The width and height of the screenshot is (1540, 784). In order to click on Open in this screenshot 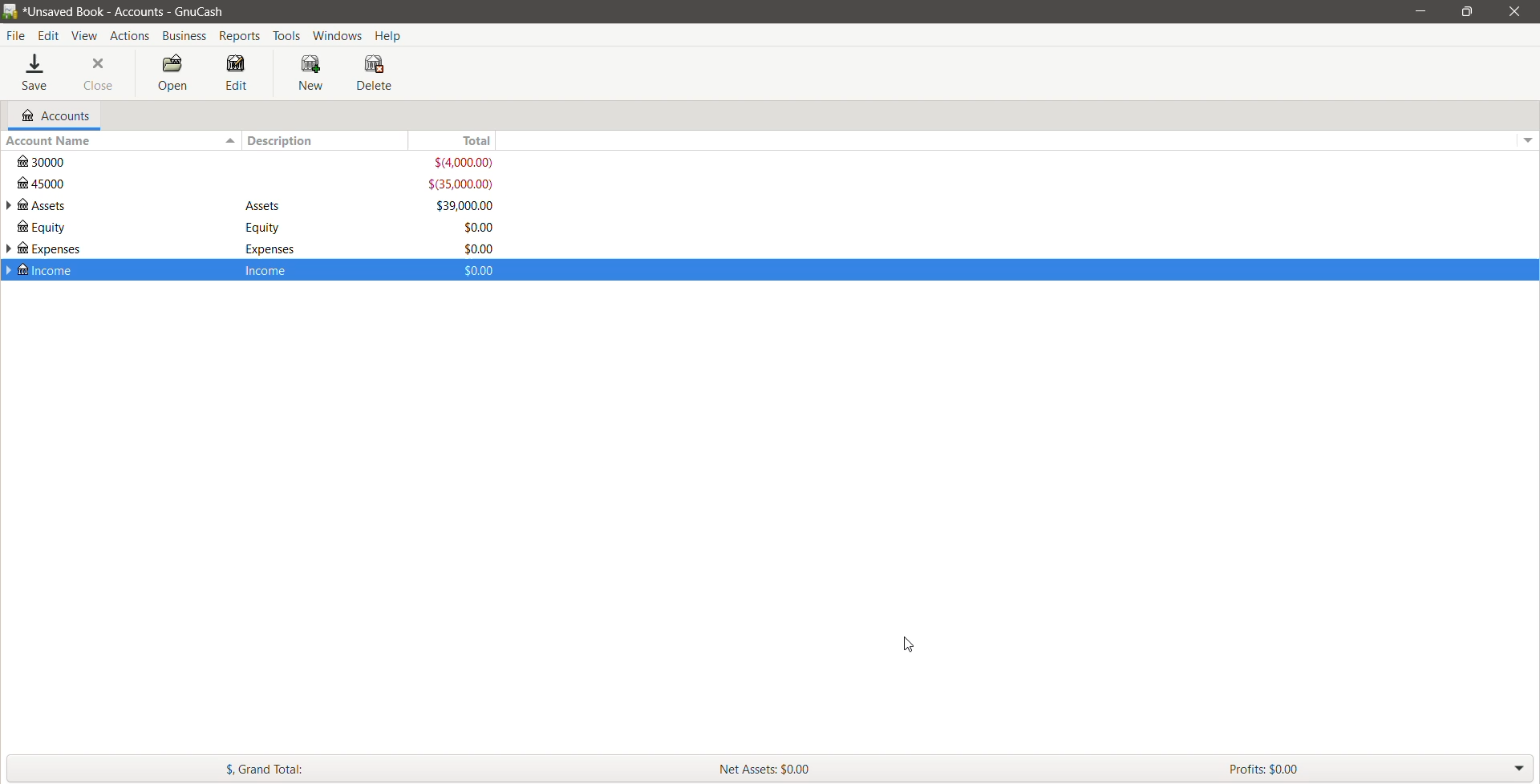, I will do `click(171, 74)`.